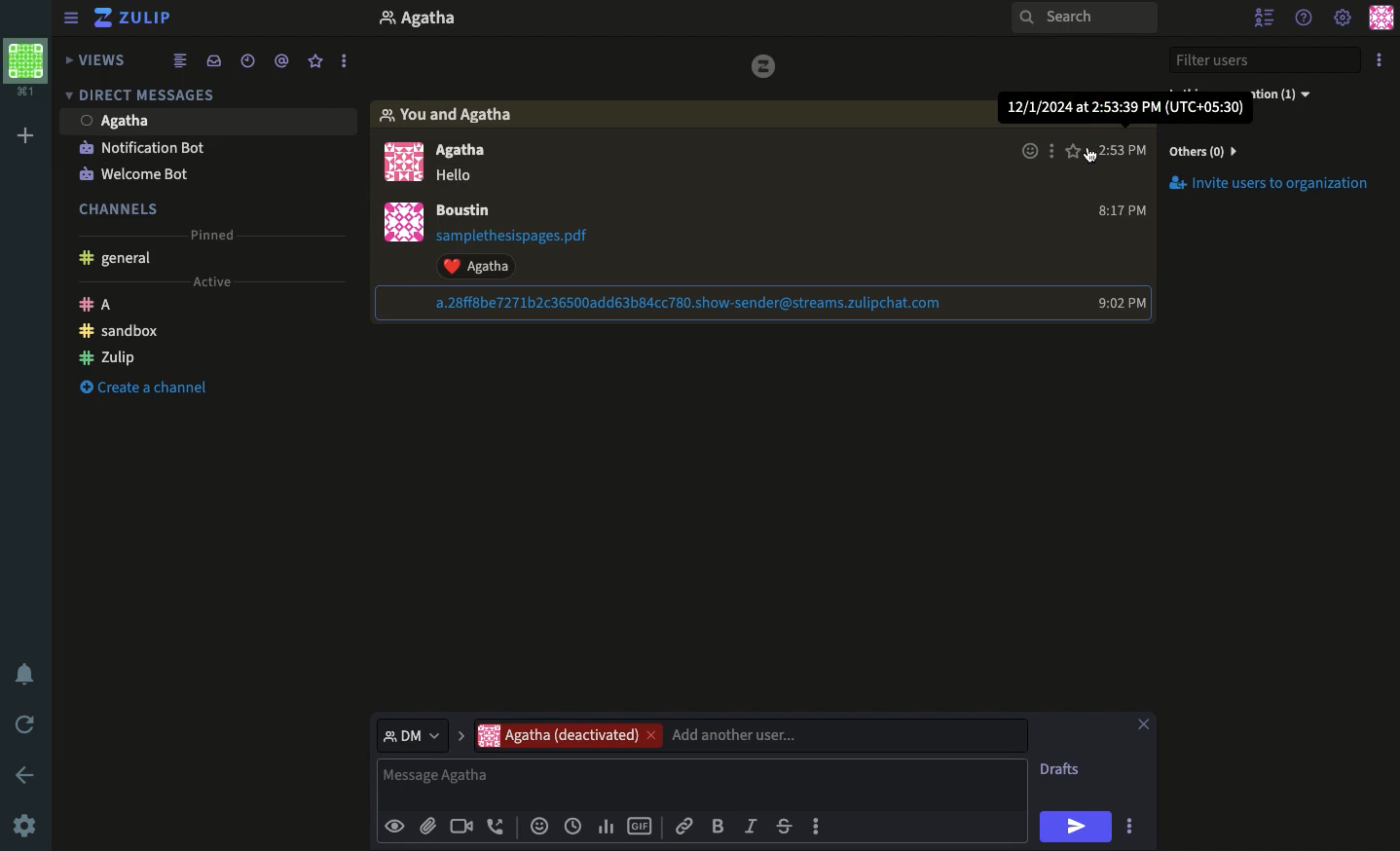 The image size is (1400, 851). I want to click on Settings, so click(26, 827).